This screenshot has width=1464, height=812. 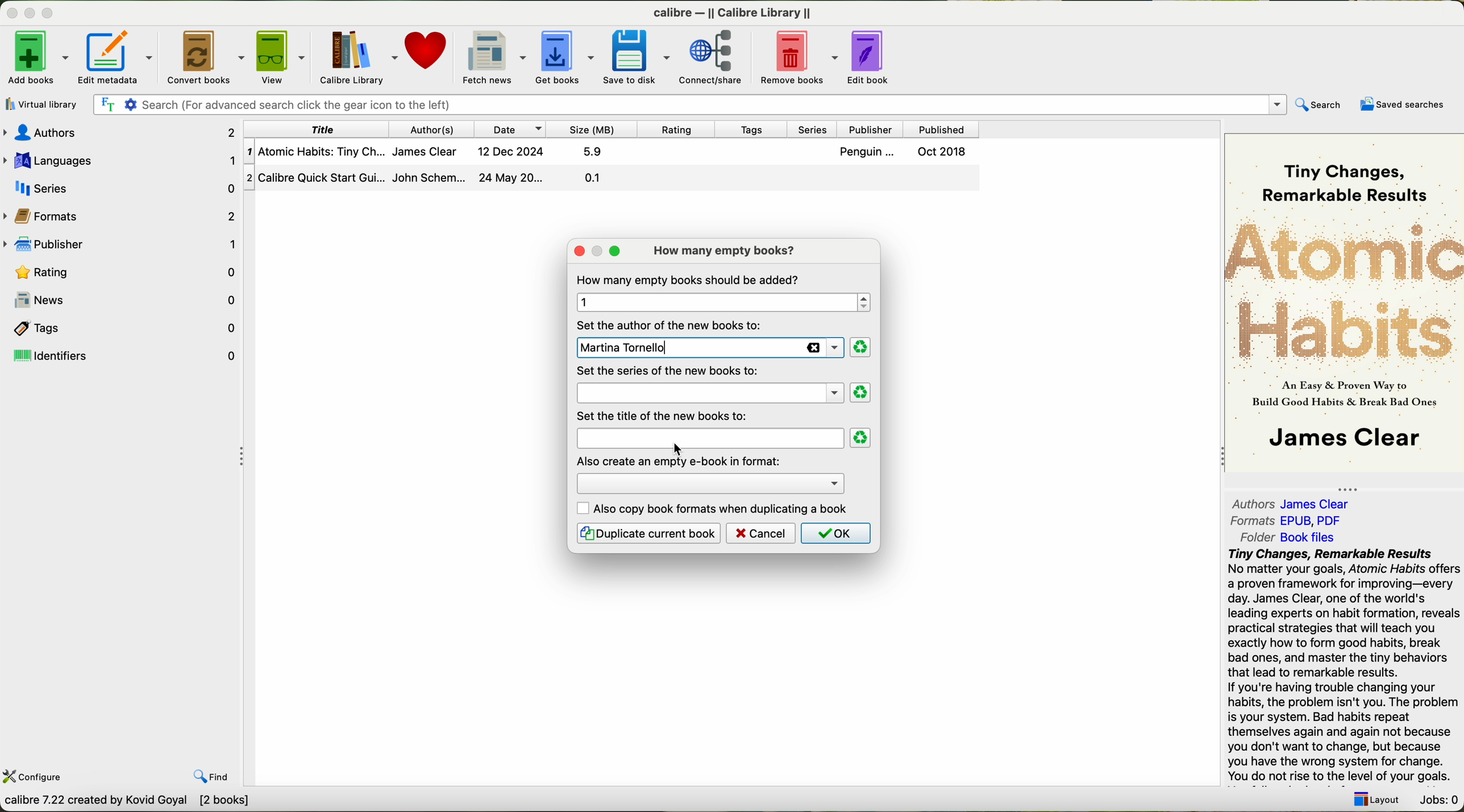 What do you see at coordinates (1401, 104) in the screenshot?
I see `saved searches` at bounding box center [1401, 104].